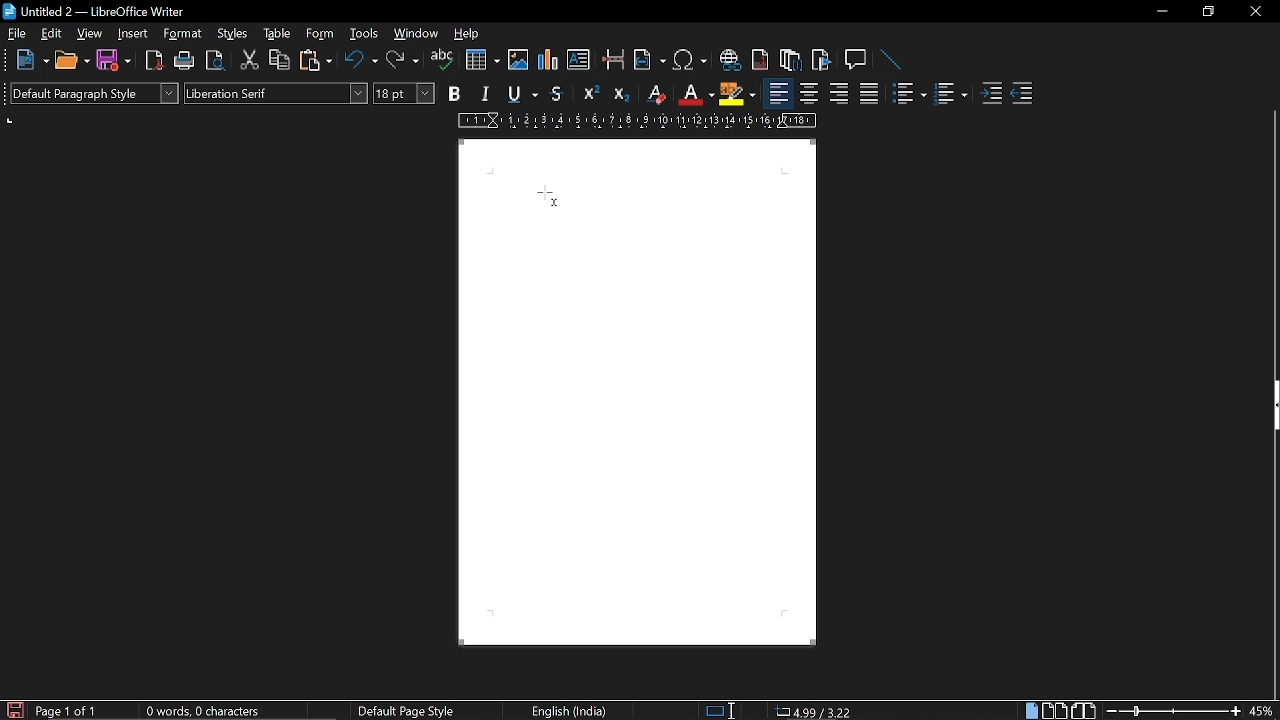 The height and width of the screenshot is (720, 1280). Describe the element at coordinates (590, 93) in the screenshot. I see `superscript` at that location.